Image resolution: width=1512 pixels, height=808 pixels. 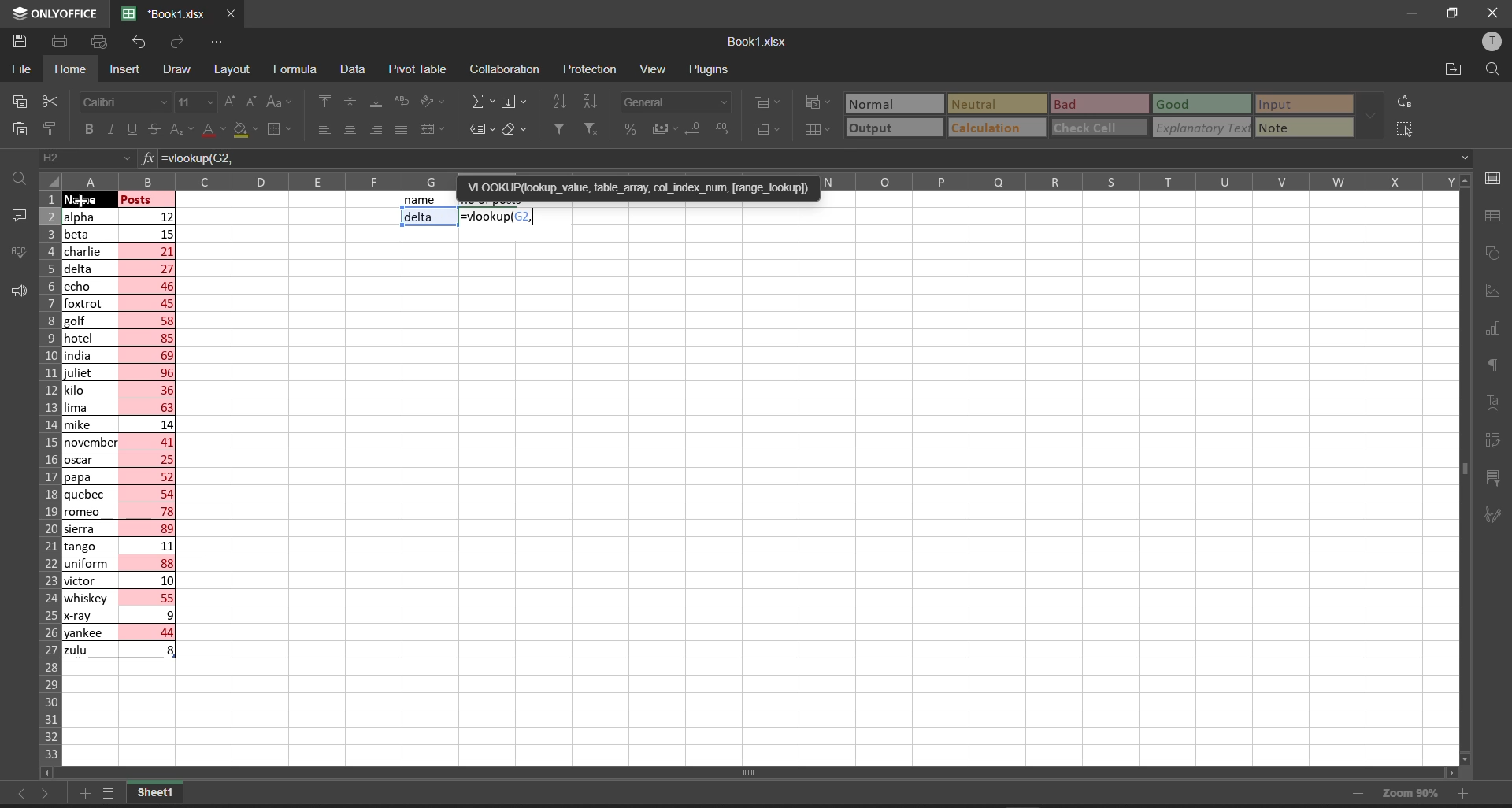 I want to click on close workbook, so click(x=232, y=14).